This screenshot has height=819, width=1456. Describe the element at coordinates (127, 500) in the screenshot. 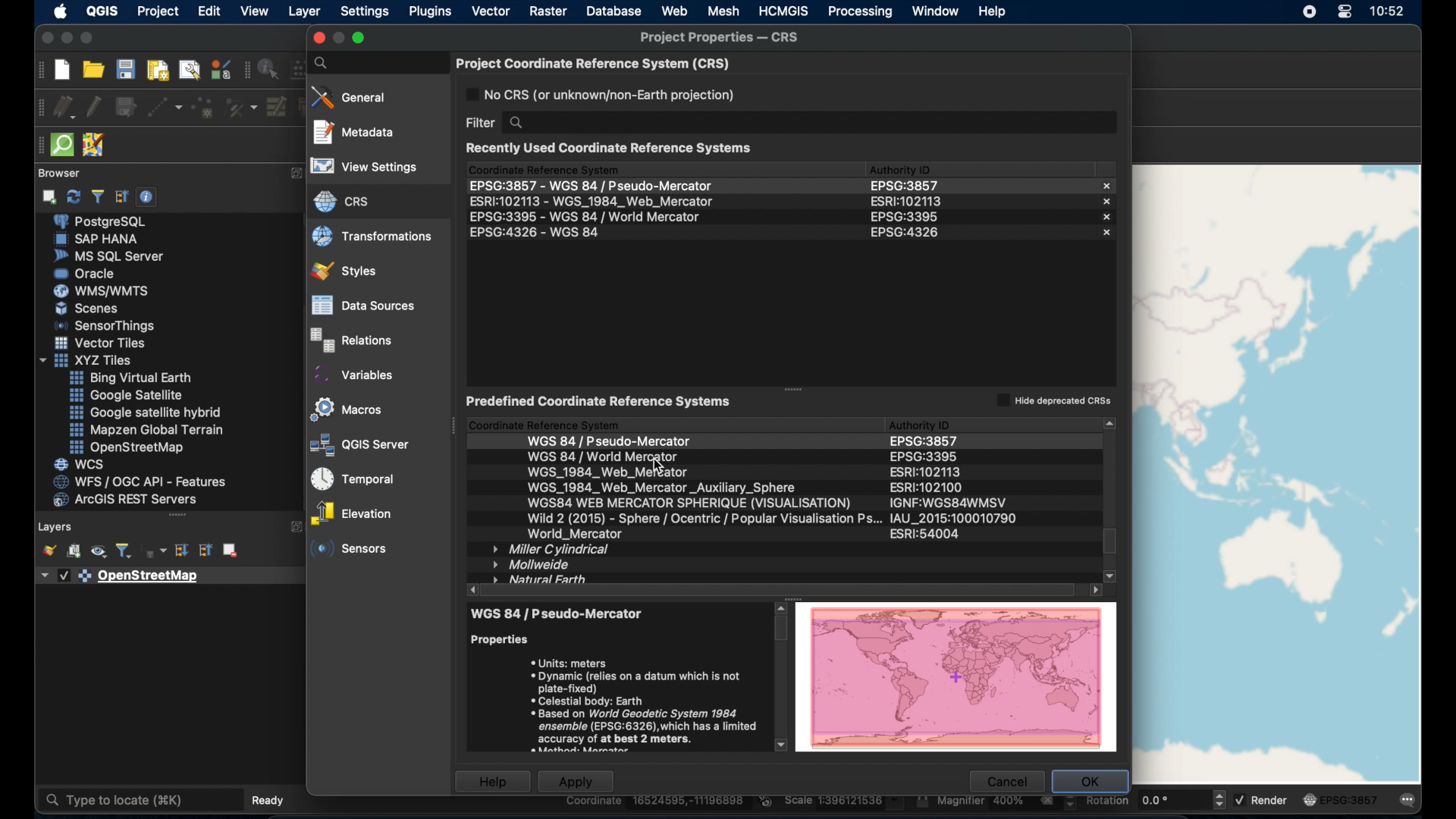

I see `arcGIS server` at that location.